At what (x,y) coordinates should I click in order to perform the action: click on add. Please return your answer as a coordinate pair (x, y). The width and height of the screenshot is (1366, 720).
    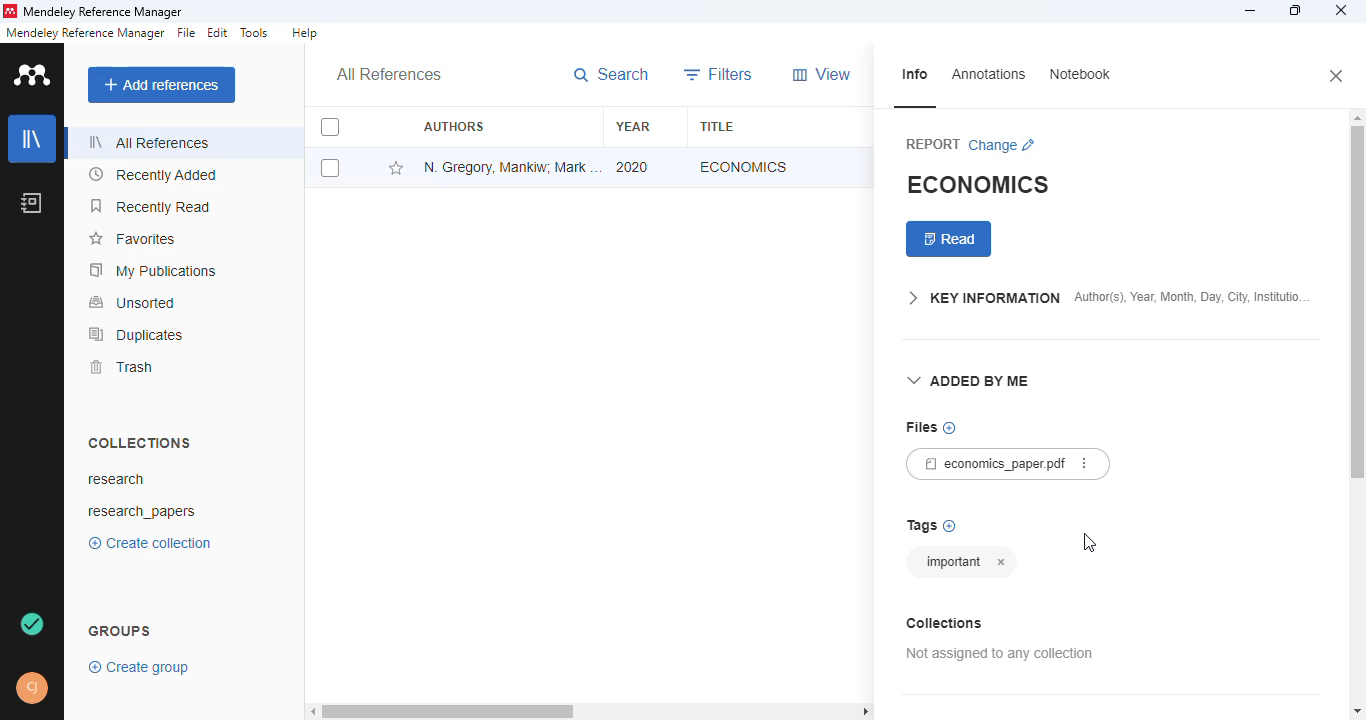
    Looking at the image, I should click on (949, 526).